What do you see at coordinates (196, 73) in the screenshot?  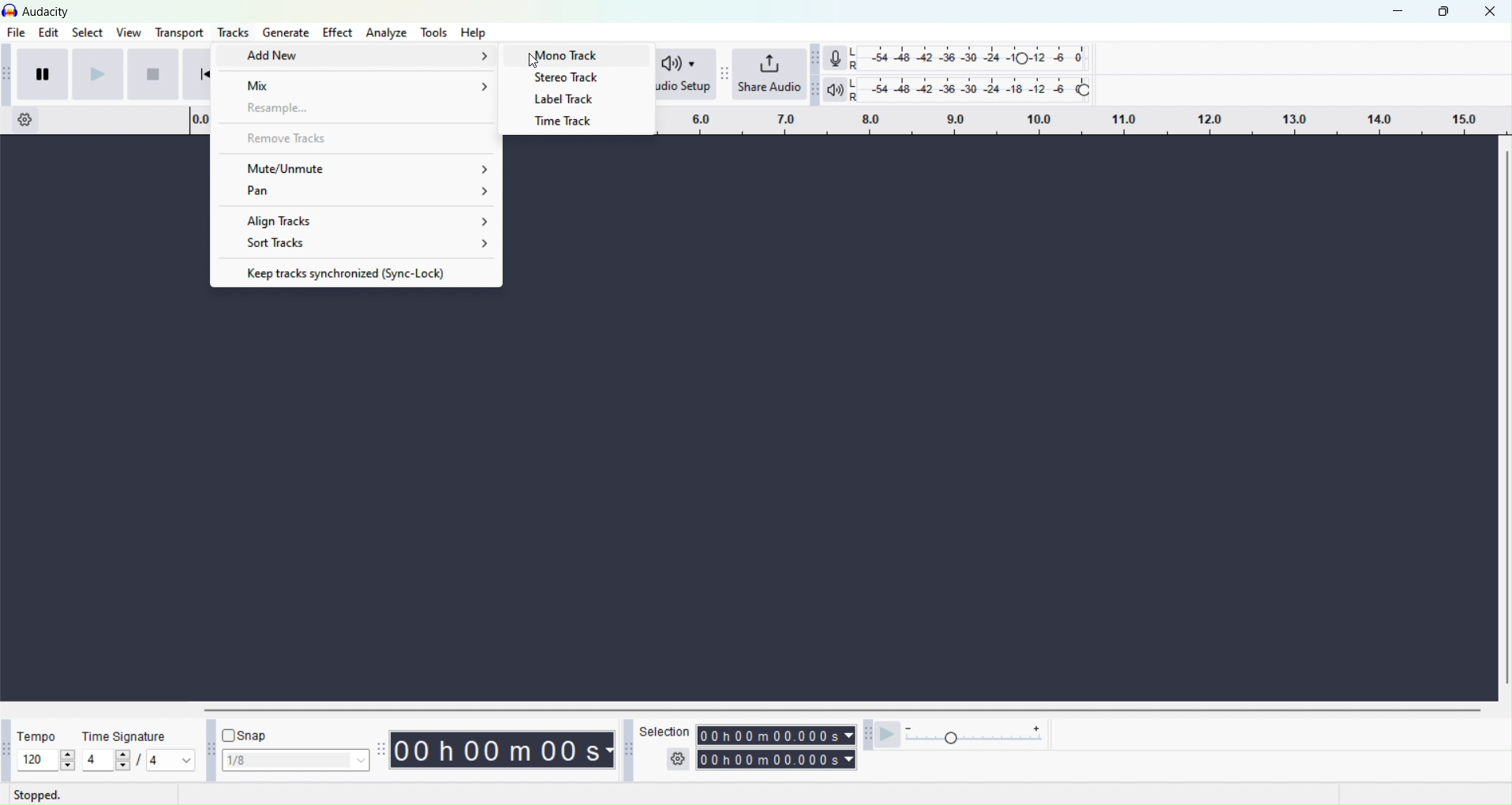 I see `Skip to start` at bounding box center [196, 73].